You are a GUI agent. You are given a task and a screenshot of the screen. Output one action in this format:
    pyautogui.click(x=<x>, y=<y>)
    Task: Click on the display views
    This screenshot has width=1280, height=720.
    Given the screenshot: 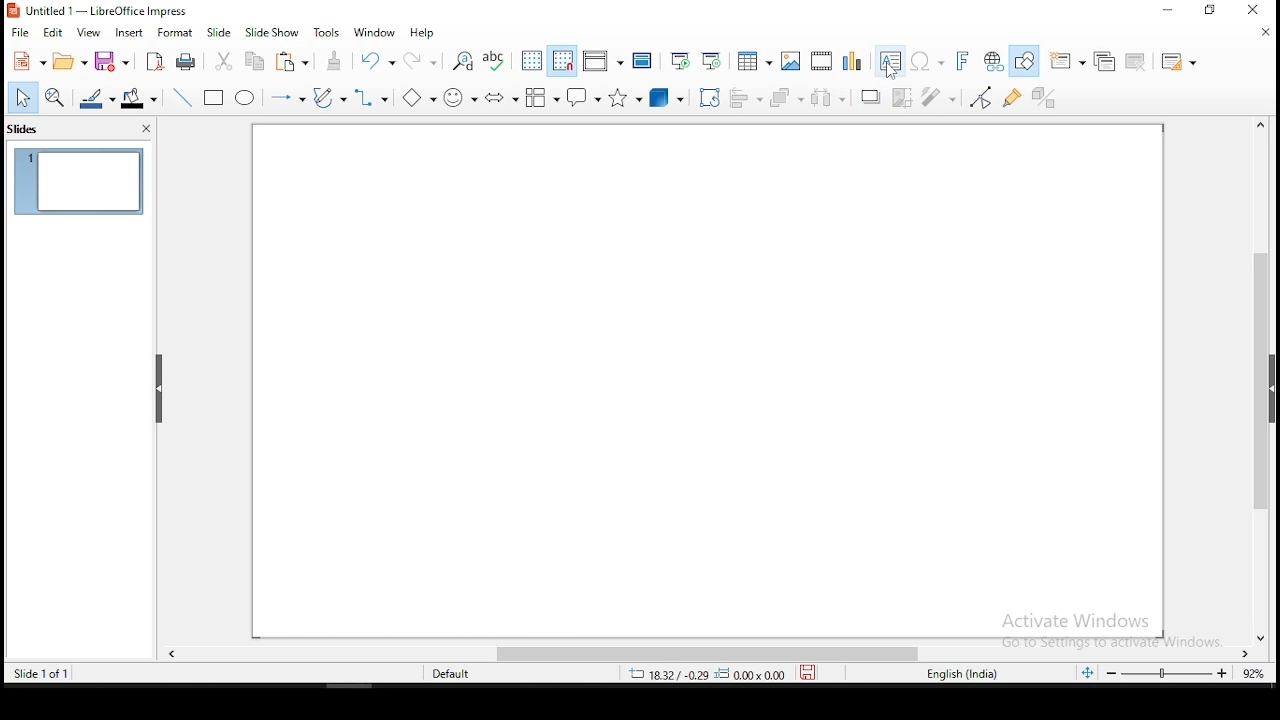 What is the action you would take?
    pyautogui.click(x=603, y=60)
    